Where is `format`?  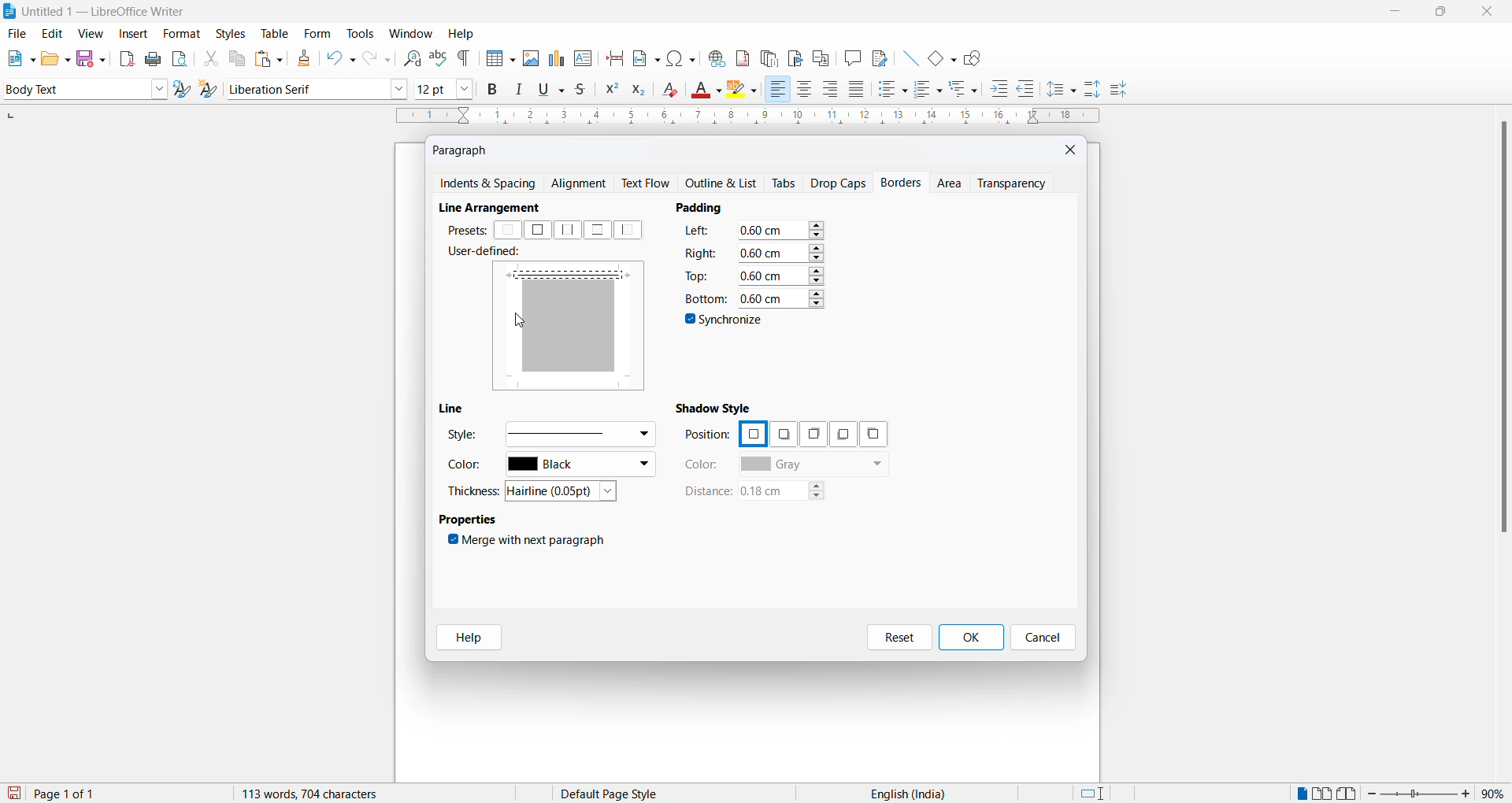 format is located at coordinates (178, 35).